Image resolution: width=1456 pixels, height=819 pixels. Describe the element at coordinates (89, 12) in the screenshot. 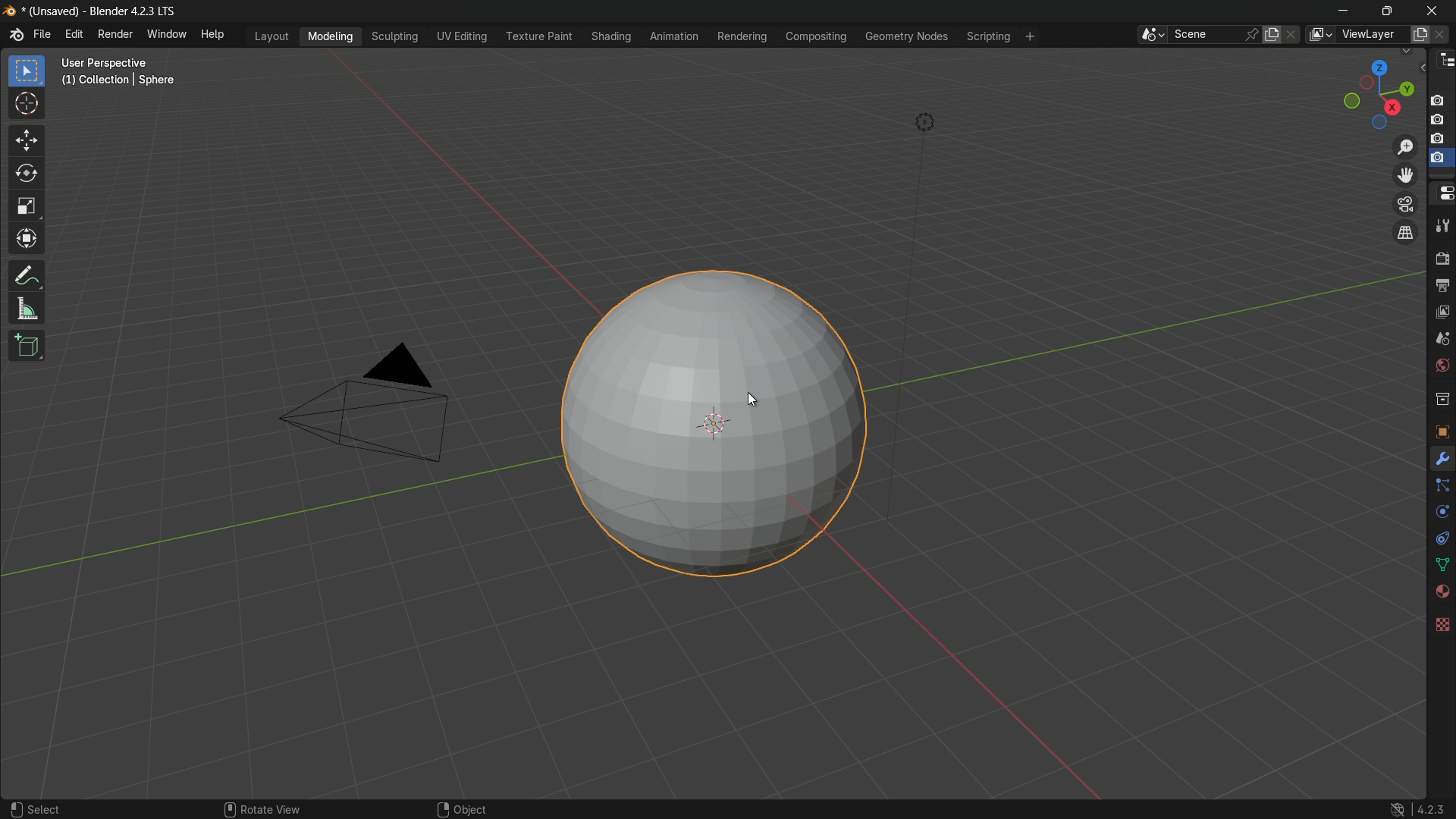

I see `(unsaved) blender 4.2.3 LTS` at that location.